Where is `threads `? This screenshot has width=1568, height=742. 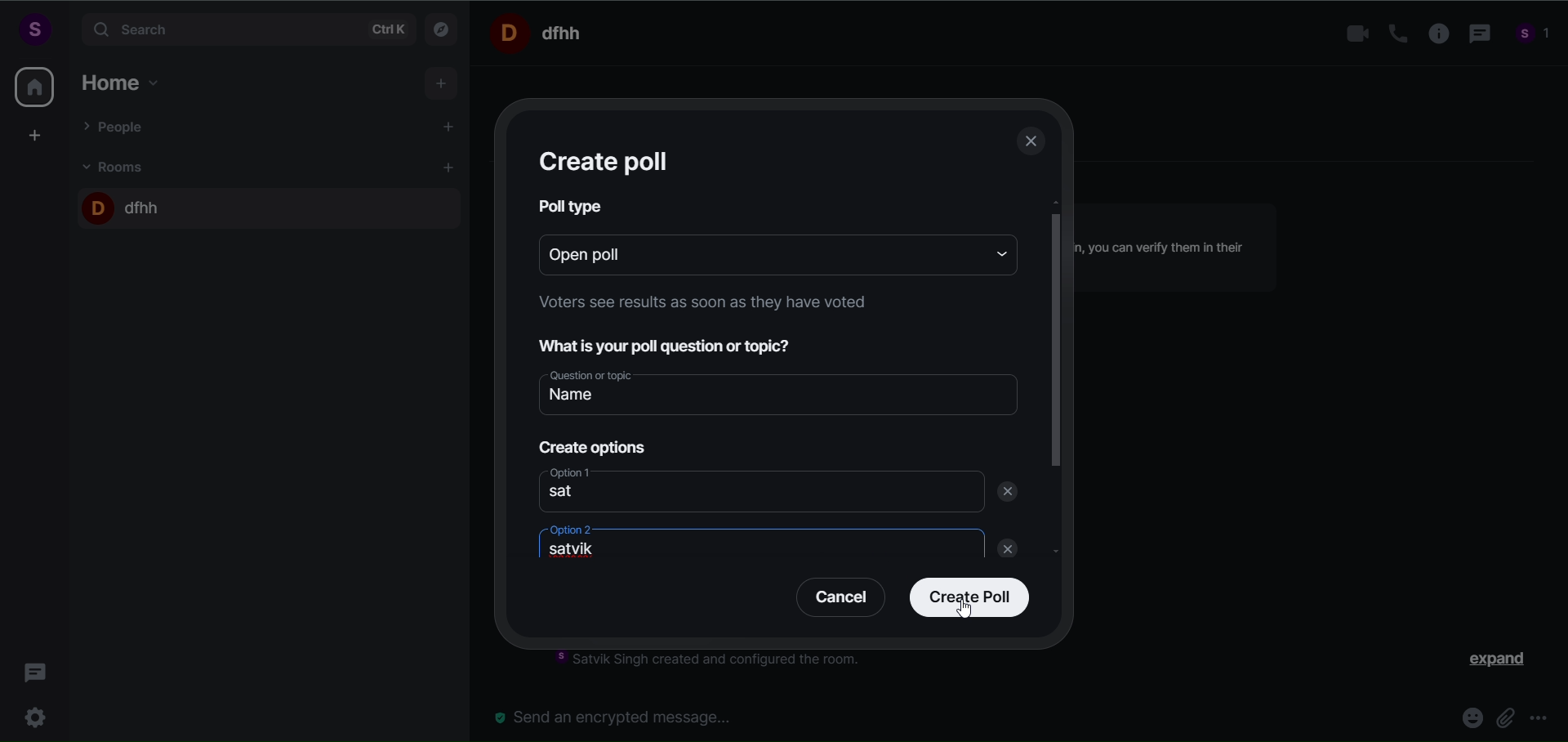
threads  is located at coordinates (36, 668).